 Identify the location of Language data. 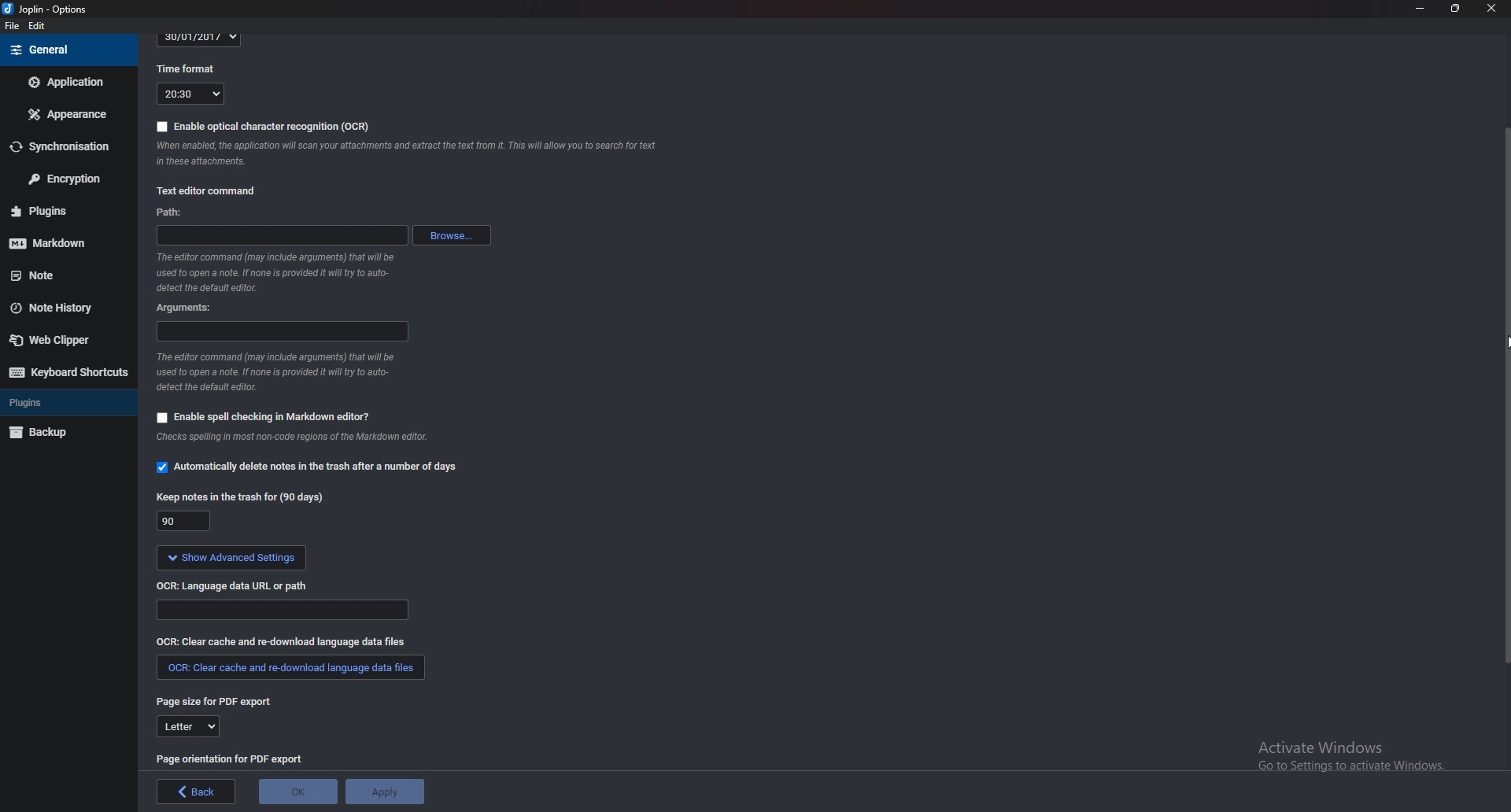
(284, 610).